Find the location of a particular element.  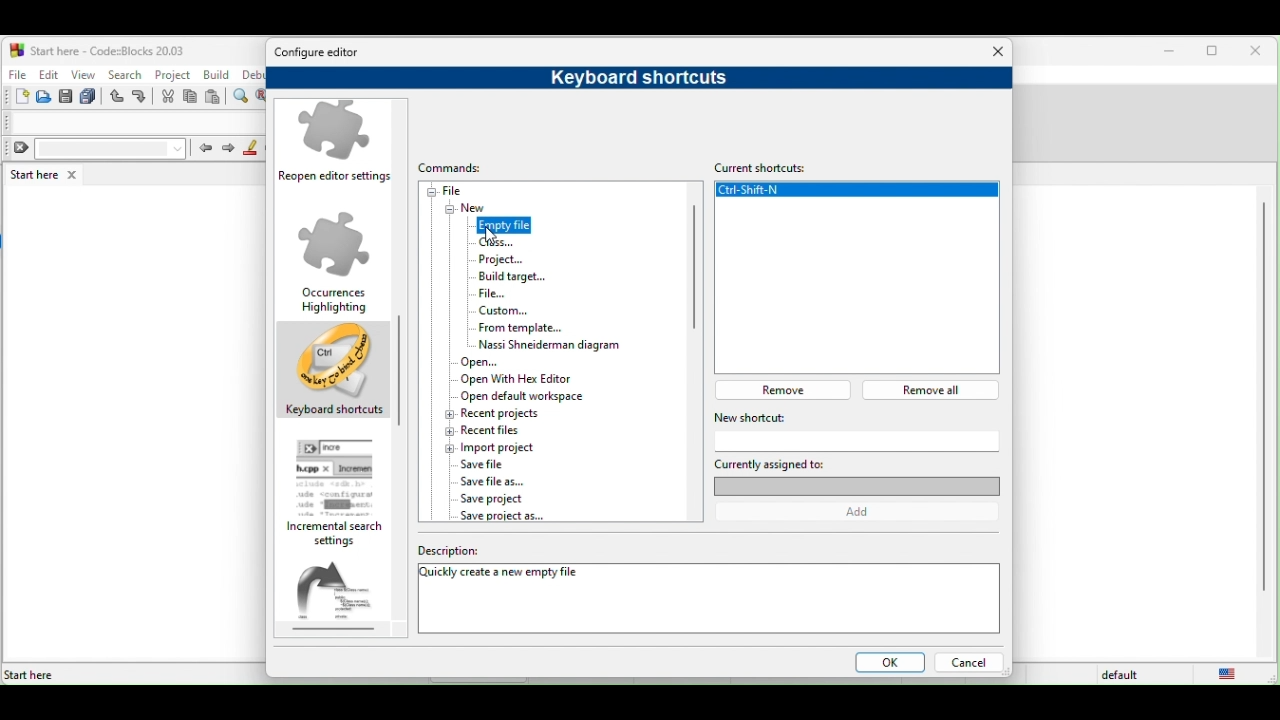

recent file is located at coordinates (513, 430).